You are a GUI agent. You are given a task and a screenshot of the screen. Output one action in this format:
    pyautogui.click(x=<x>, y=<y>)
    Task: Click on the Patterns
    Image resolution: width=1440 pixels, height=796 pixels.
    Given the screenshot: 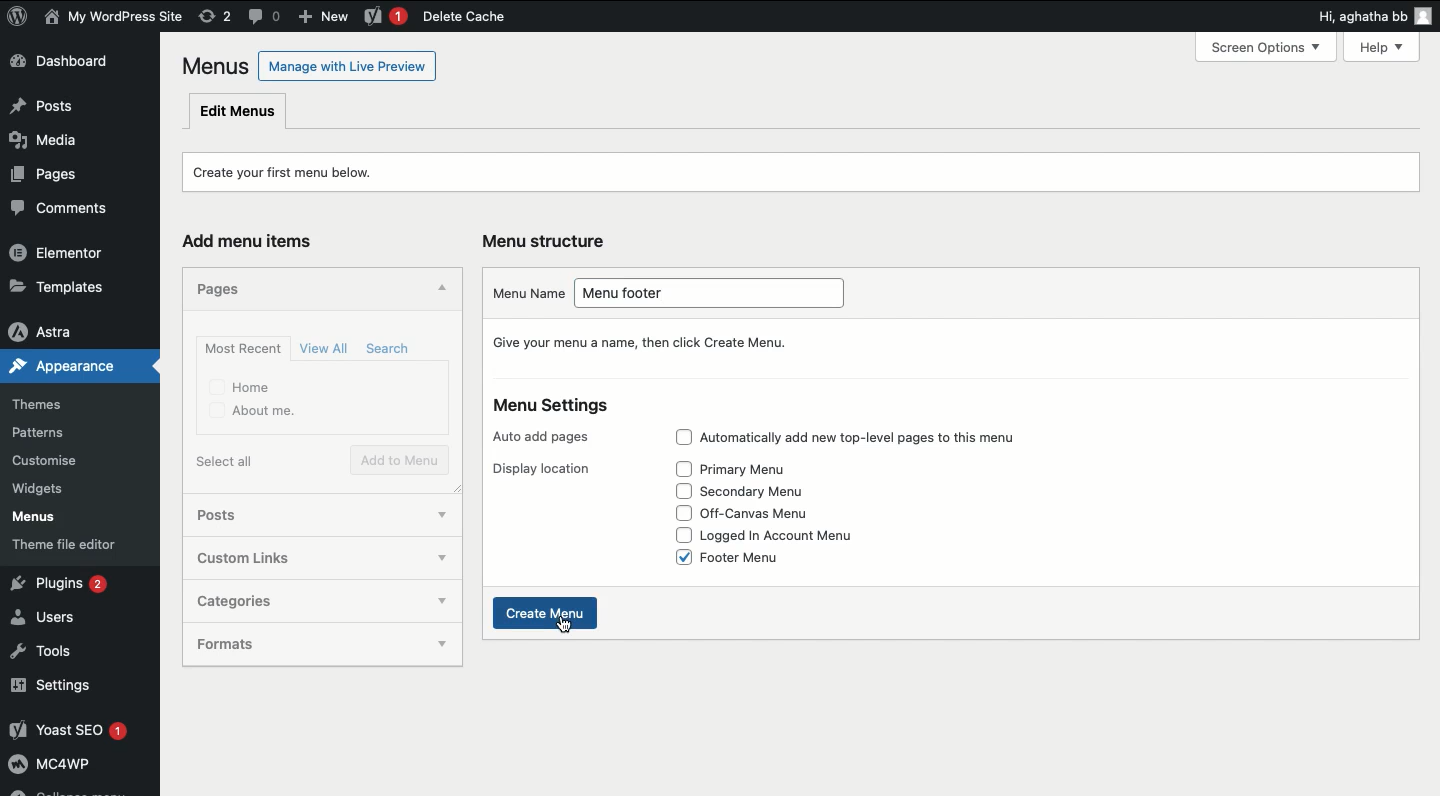 What is the action you would take?
    pyautogui.click(x=54, y=429)
    